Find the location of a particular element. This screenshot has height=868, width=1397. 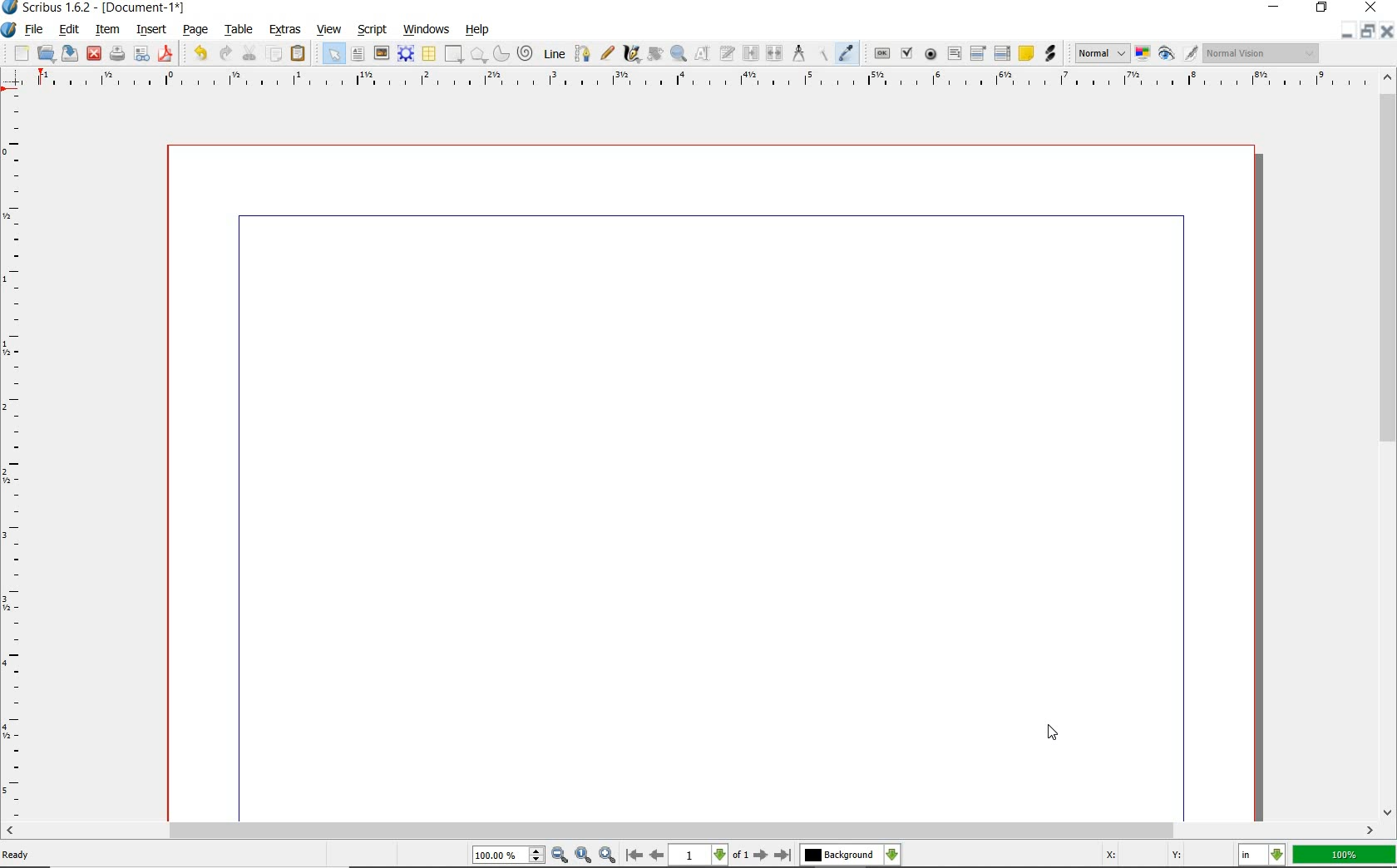

pdf radio button is located at coordinates (932, 54).